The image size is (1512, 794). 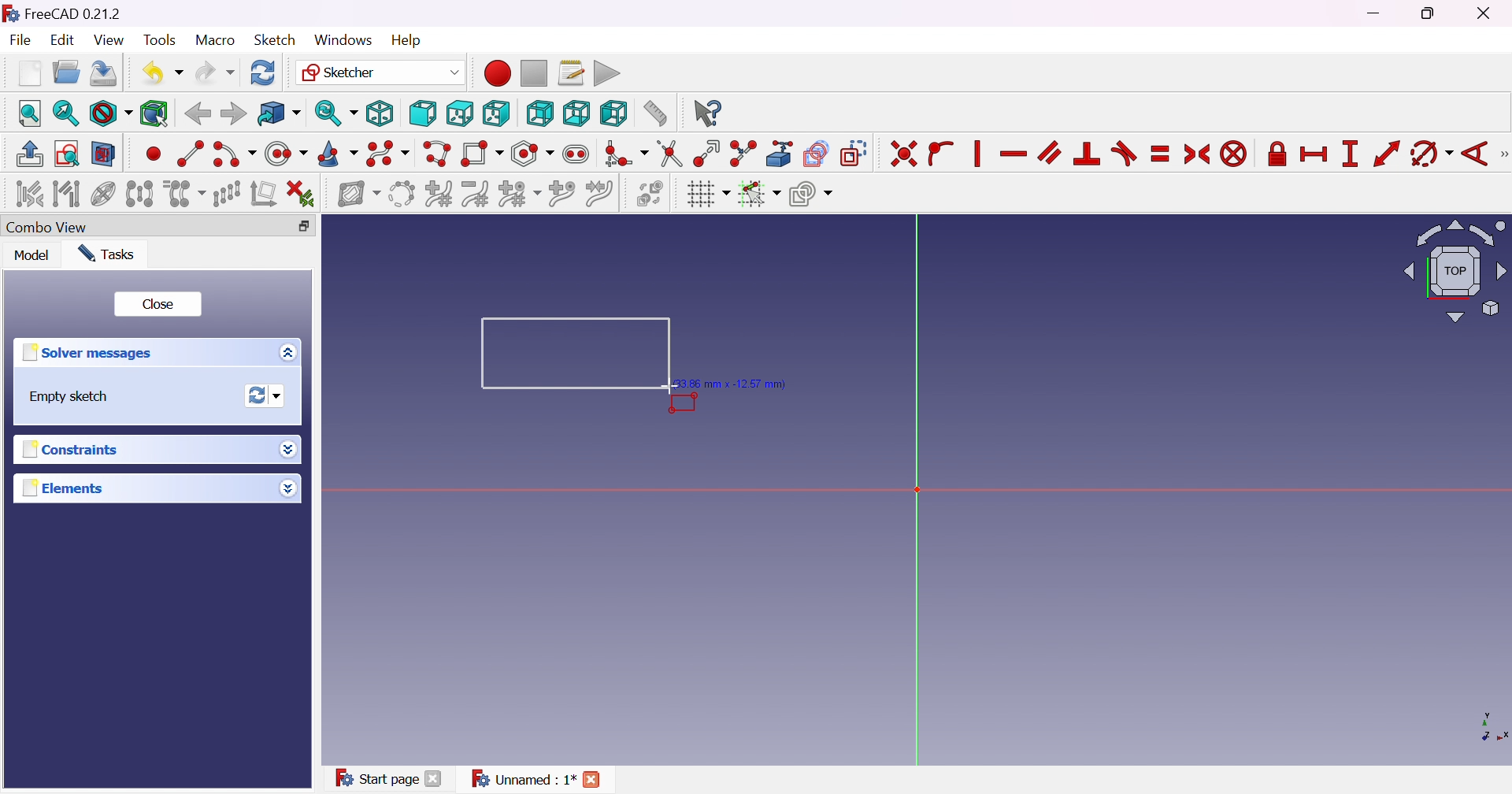 What do you see at coordinates (810, 193) in the screenshot?
I see `Configure rendering order` at bounding box center [810, 193].